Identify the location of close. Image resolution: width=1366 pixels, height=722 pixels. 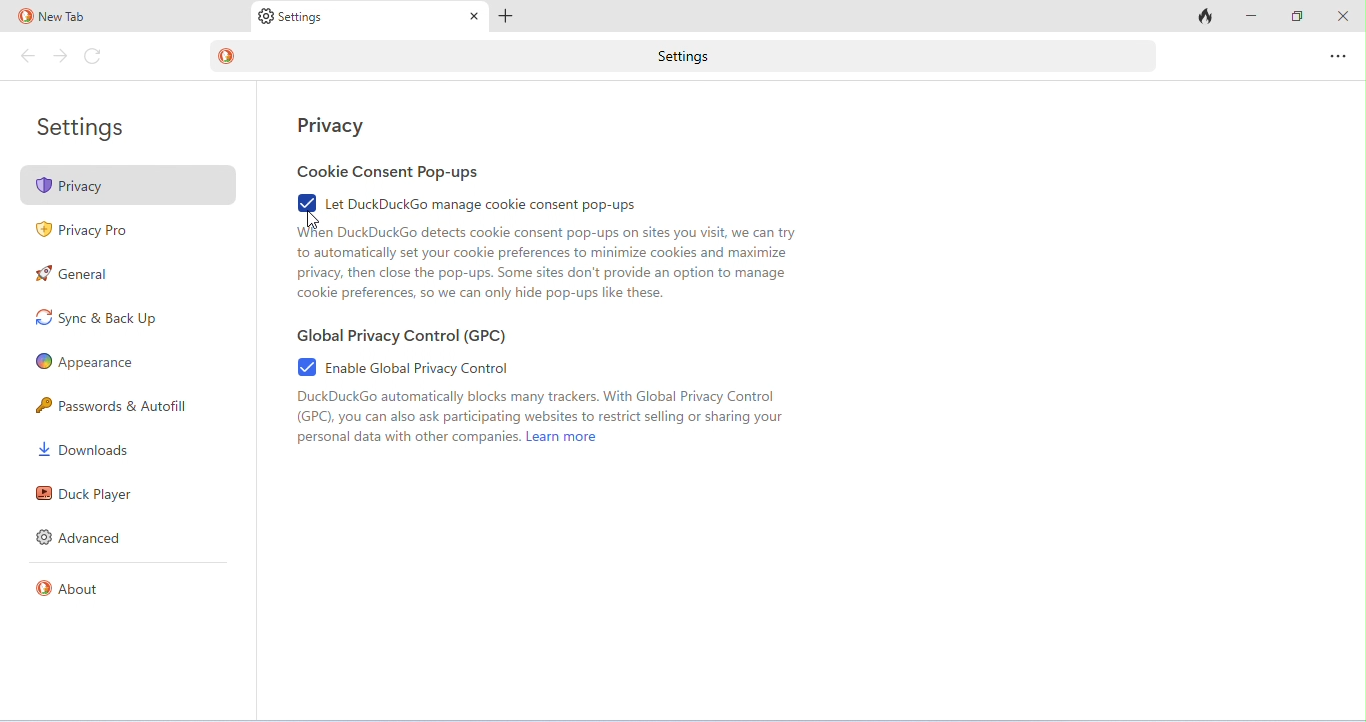
(1340, 14).